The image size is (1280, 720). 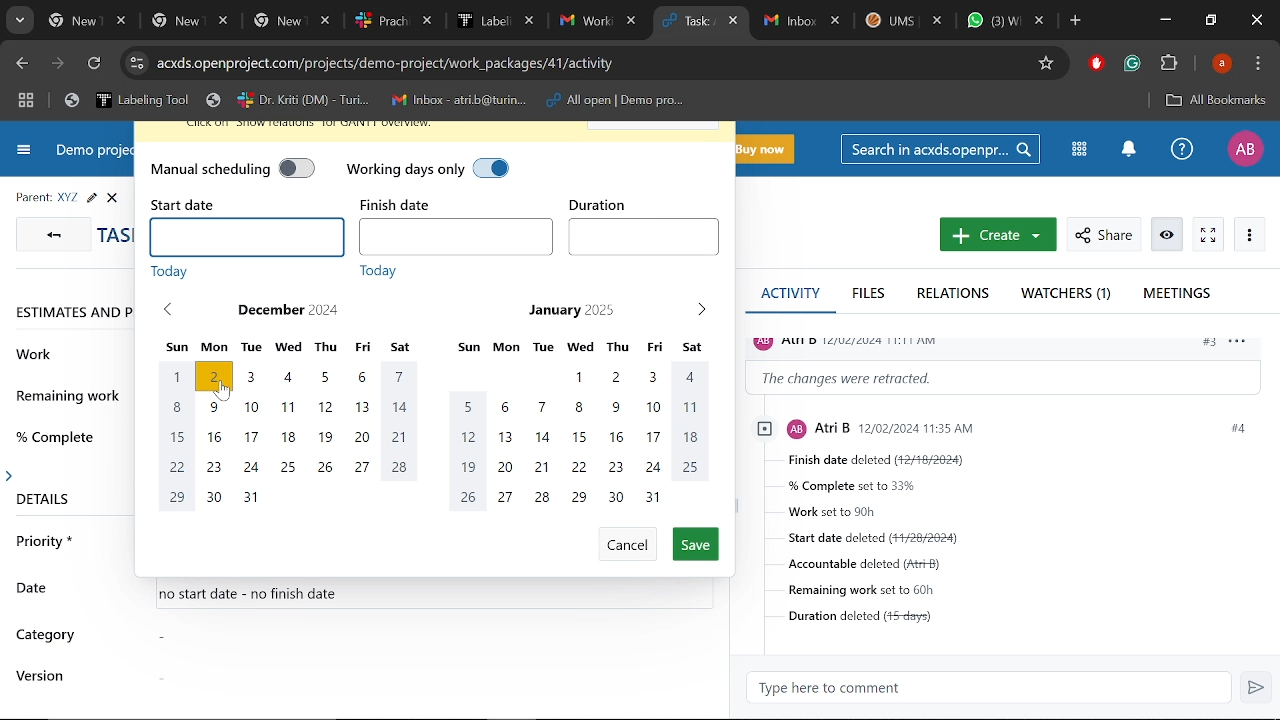 What do you see at coordinates (1103, 235) in the screenshot?
I see `Share` at bounding box center [1103, 235].